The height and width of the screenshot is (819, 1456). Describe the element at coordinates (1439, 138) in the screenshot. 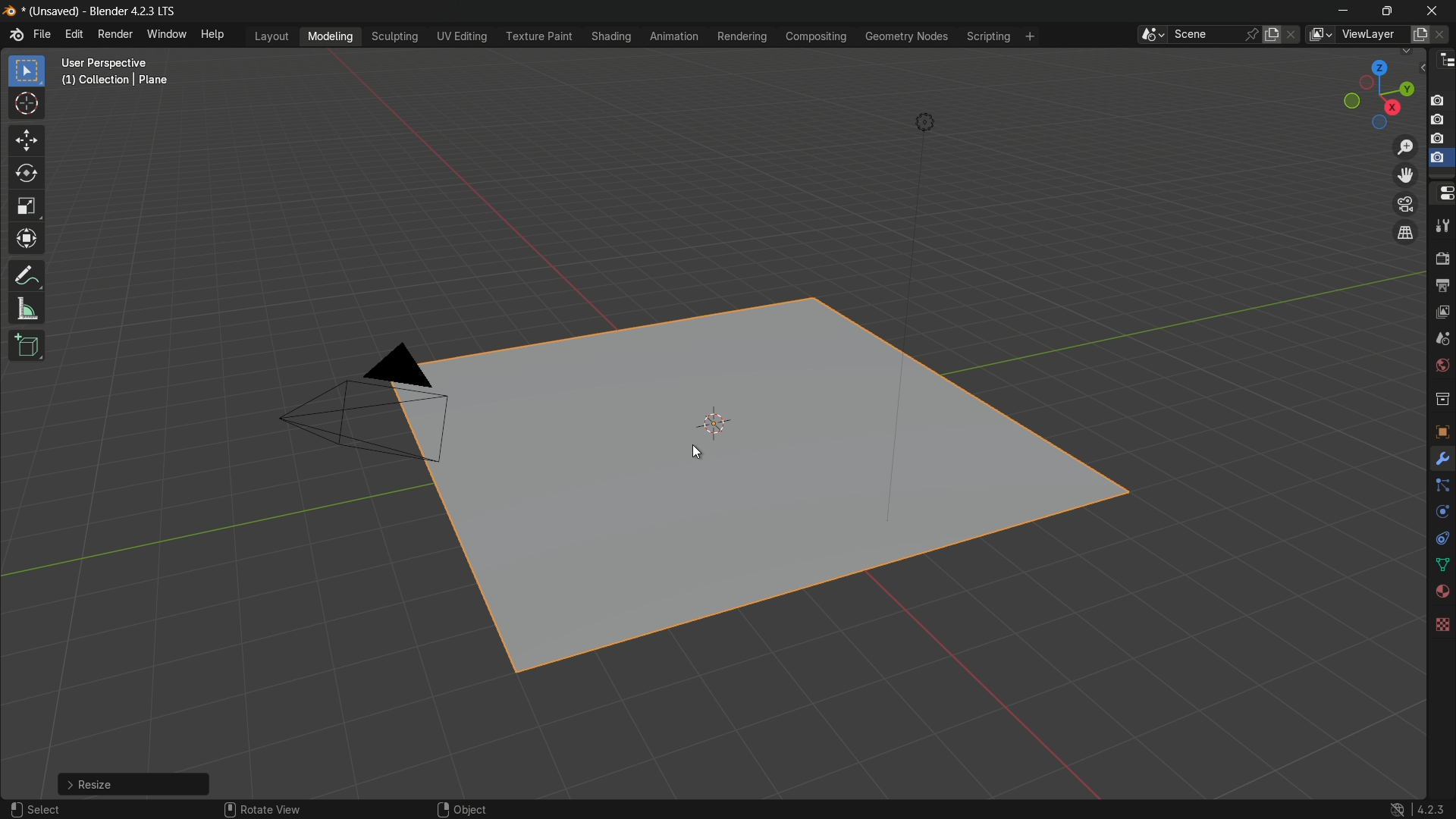

I see `capture` at that location.